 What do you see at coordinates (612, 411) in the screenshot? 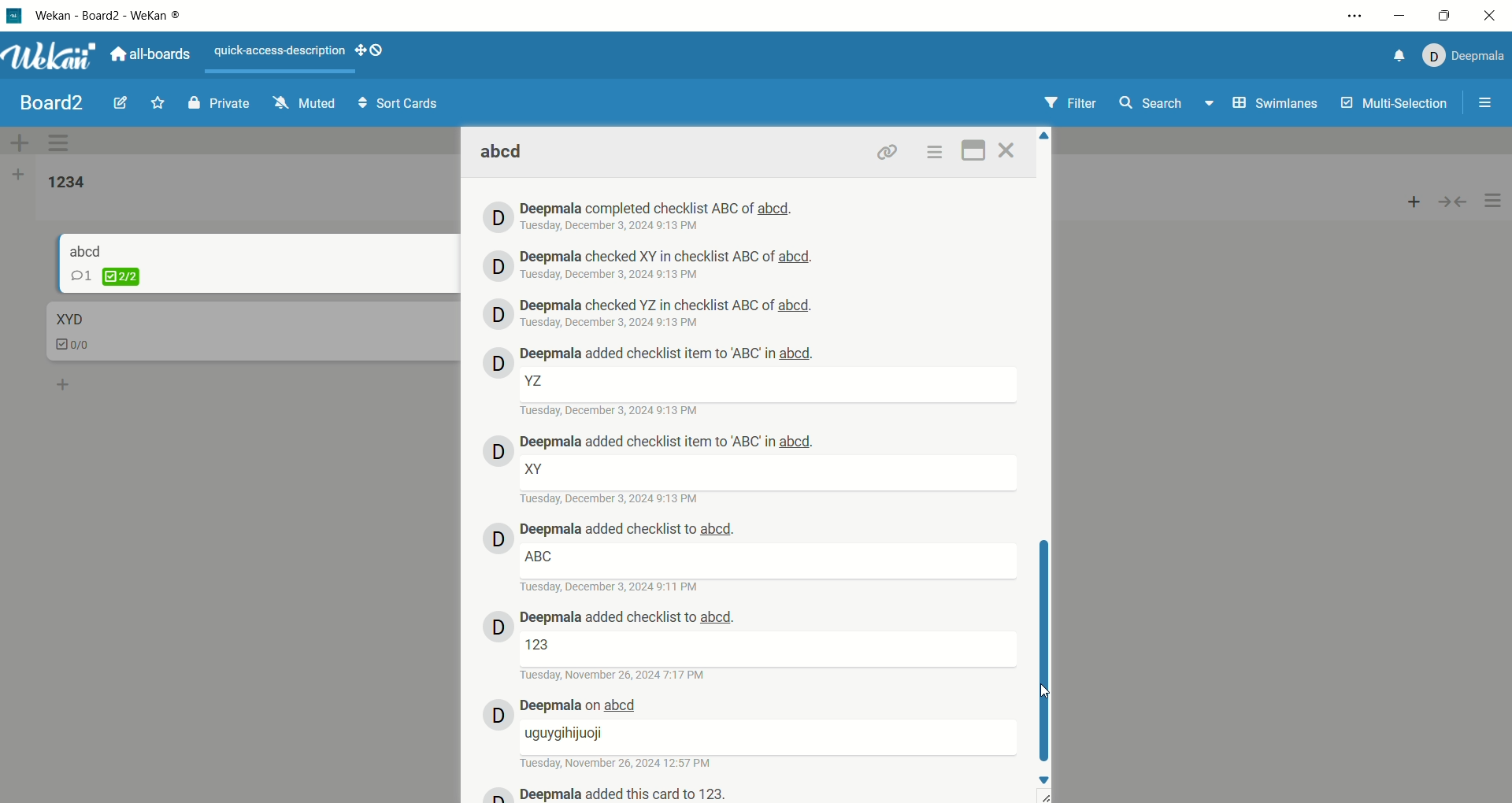
I see `date and time` at bounding box center [612, 411].